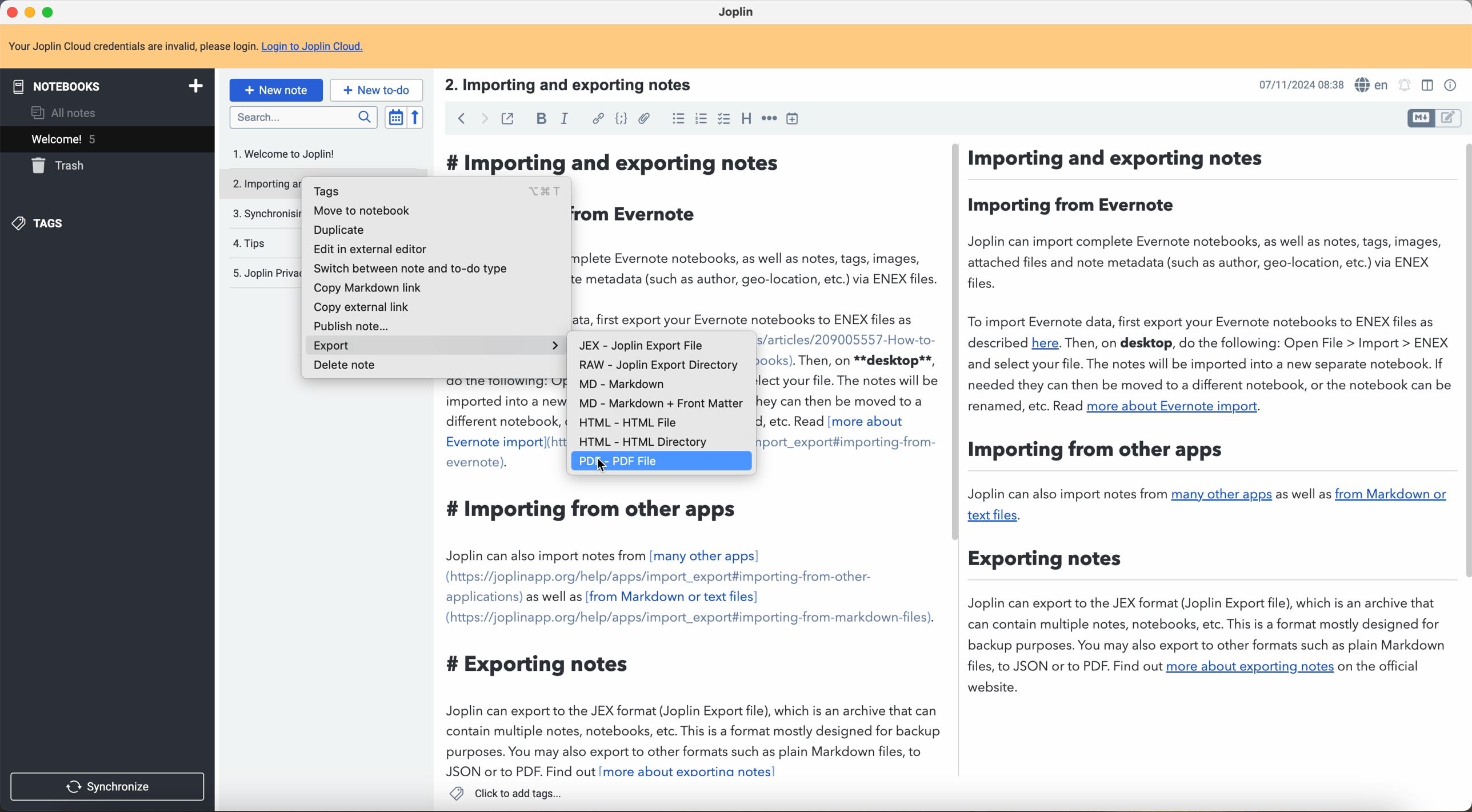 The height and width of the screenshot is (812, 1472). What do you see at coordinates (502, 164) in the screenshot?
I see `# Importing` at bounding box center [502, 164].